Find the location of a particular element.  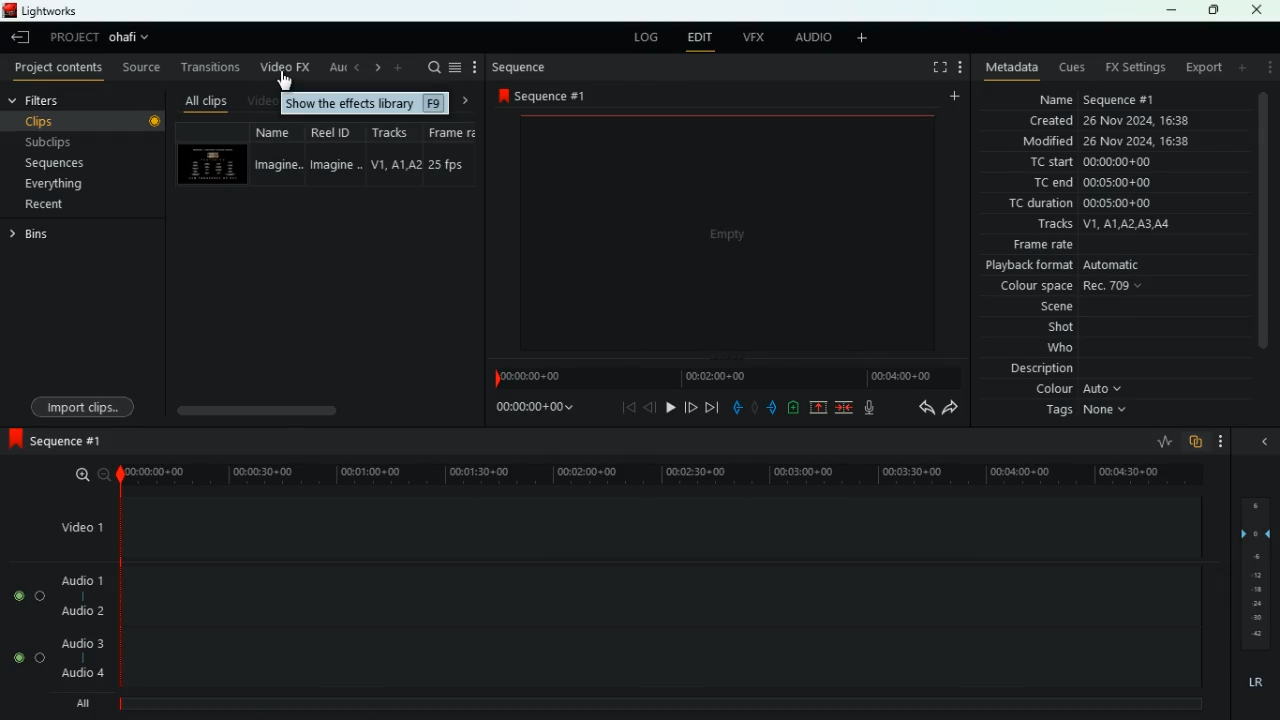

more is located at coordinates (953, 95).